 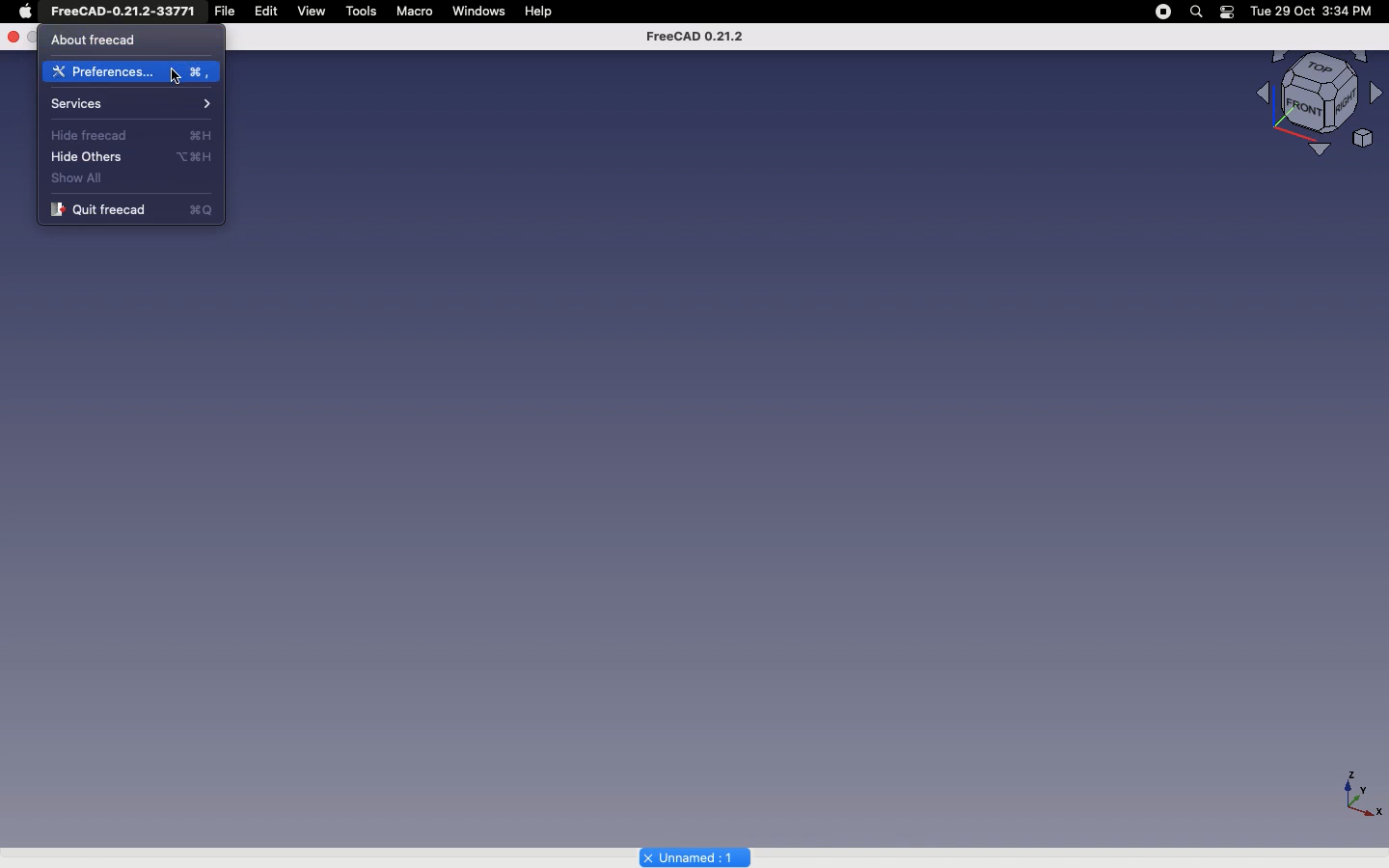 What do you see at coordinates (99, 70) in the screenshot?
I see `Preferences` at bounding box center [99, 70].